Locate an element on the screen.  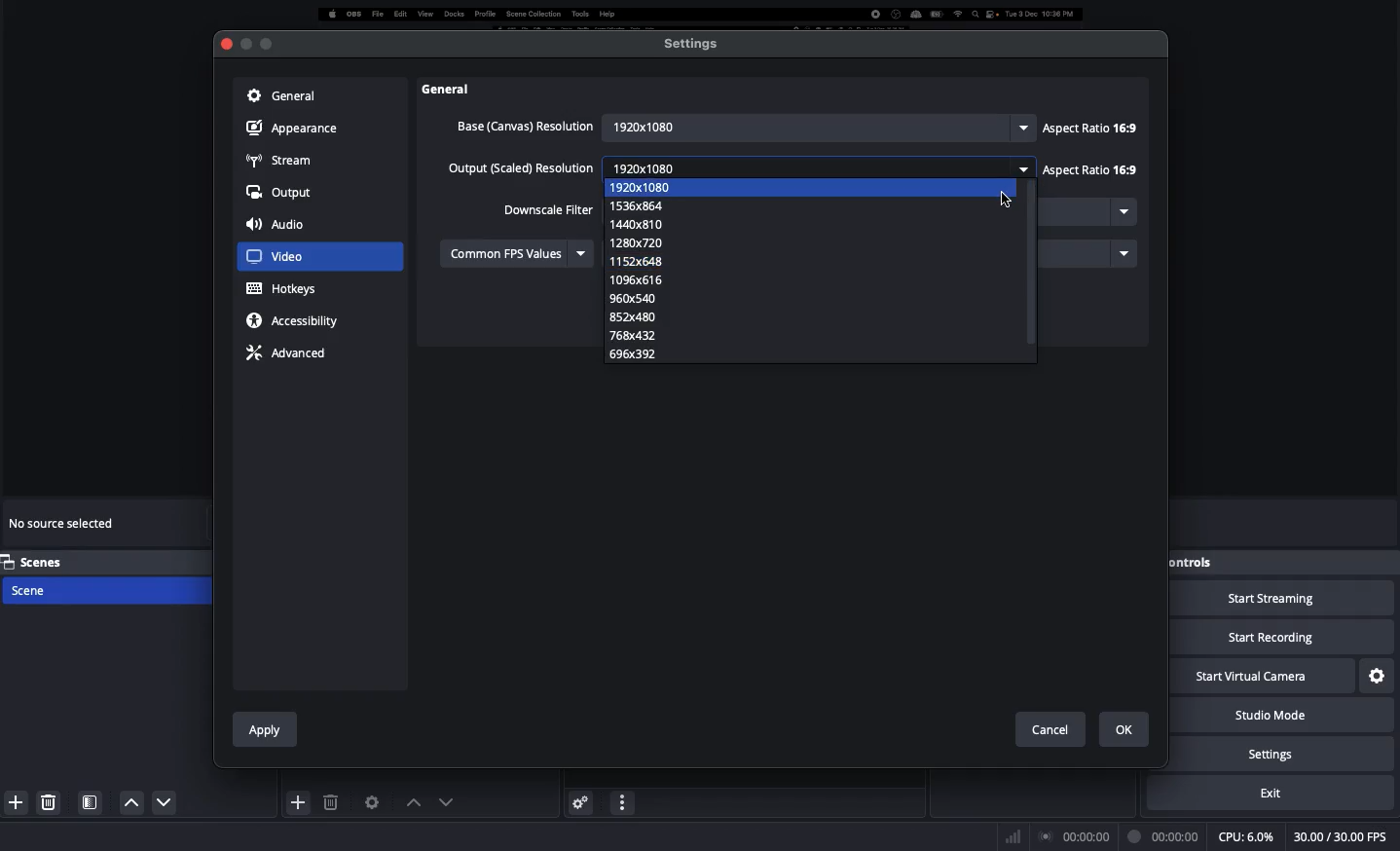
Cancel is located at coordinates (1050, 725).